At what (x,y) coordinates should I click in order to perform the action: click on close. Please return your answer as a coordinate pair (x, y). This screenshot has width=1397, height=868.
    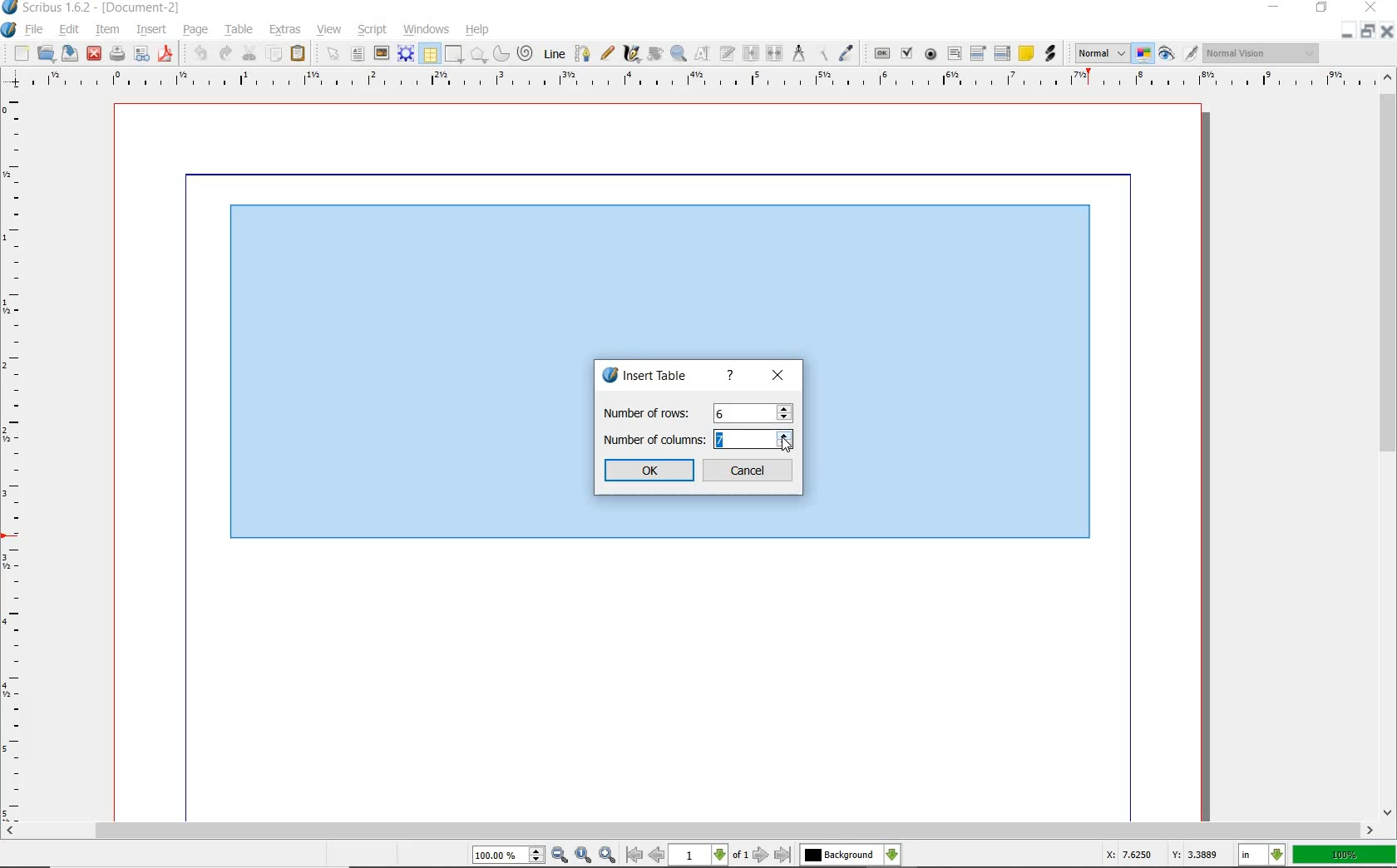
    Looking at the image, I should click on (93, 54).